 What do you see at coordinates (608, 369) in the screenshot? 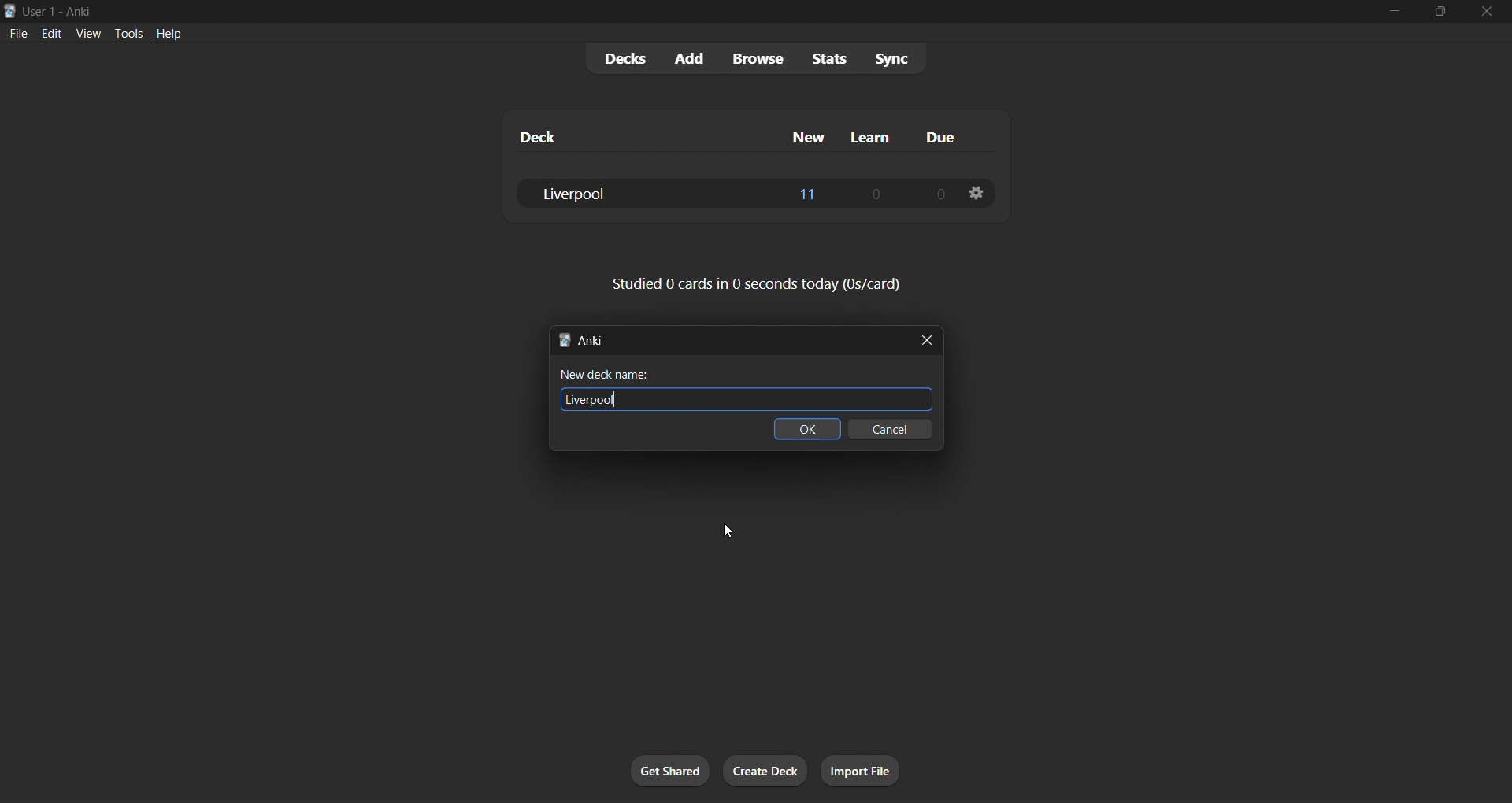
I see `New deck name` at bounding box center [608, 369].